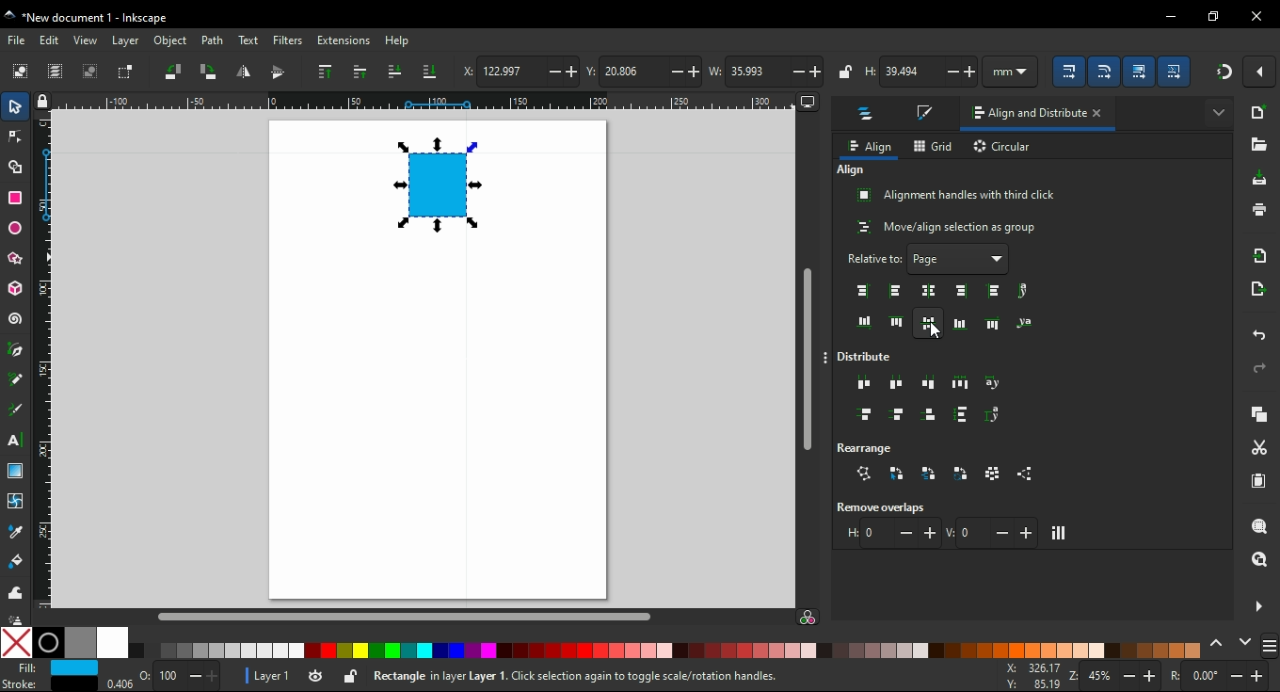 This screenshot has width=1280, height=692. What do you see at coordinates (994, 323) in the screenshot?
I see `align top edge of objects to bottom edge of anchor` at bounding box center [994, 323].